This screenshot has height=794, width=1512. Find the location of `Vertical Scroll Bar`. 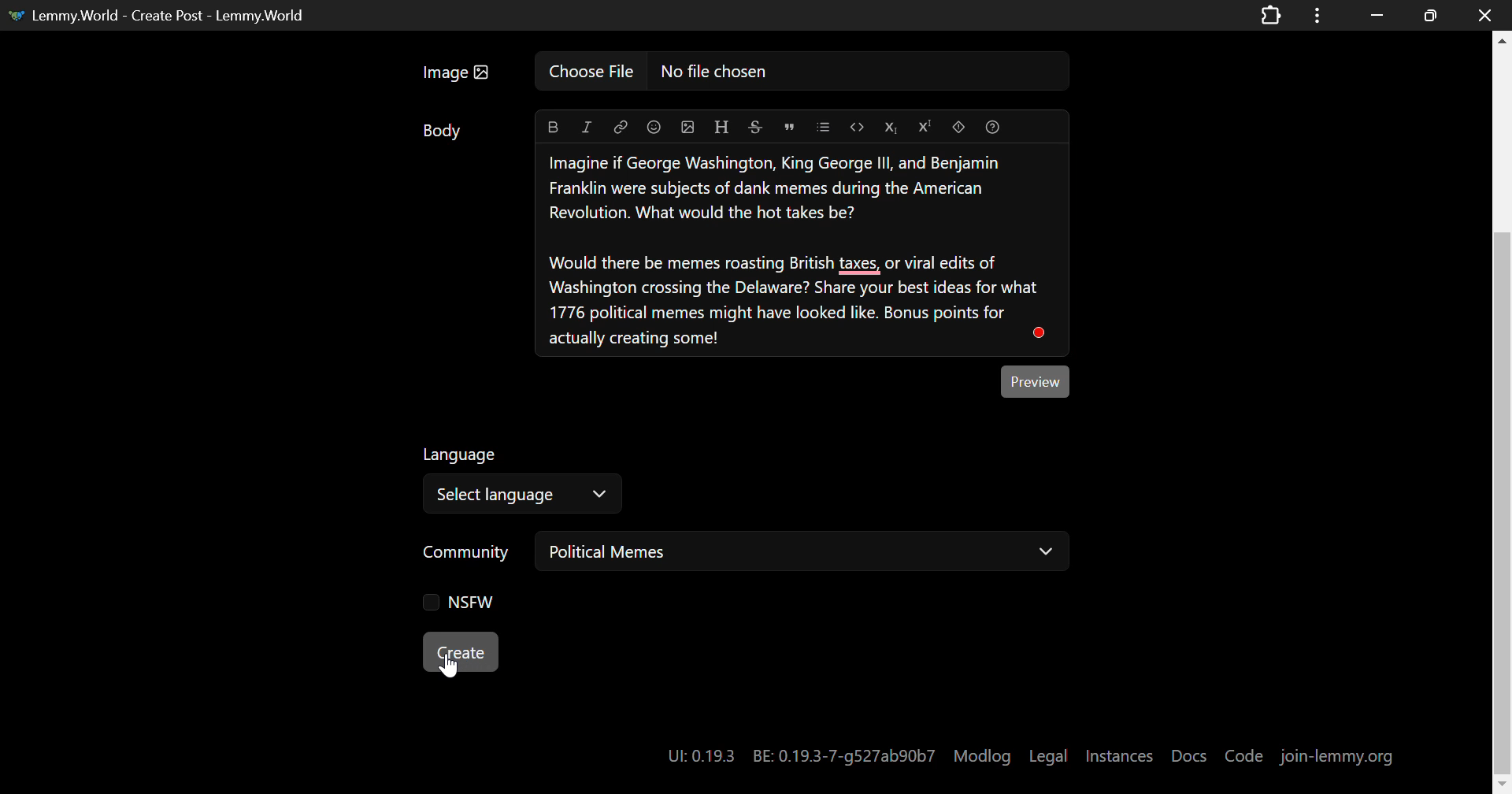

Vertical Scroll Bar is located at coordinates (1501, 415).